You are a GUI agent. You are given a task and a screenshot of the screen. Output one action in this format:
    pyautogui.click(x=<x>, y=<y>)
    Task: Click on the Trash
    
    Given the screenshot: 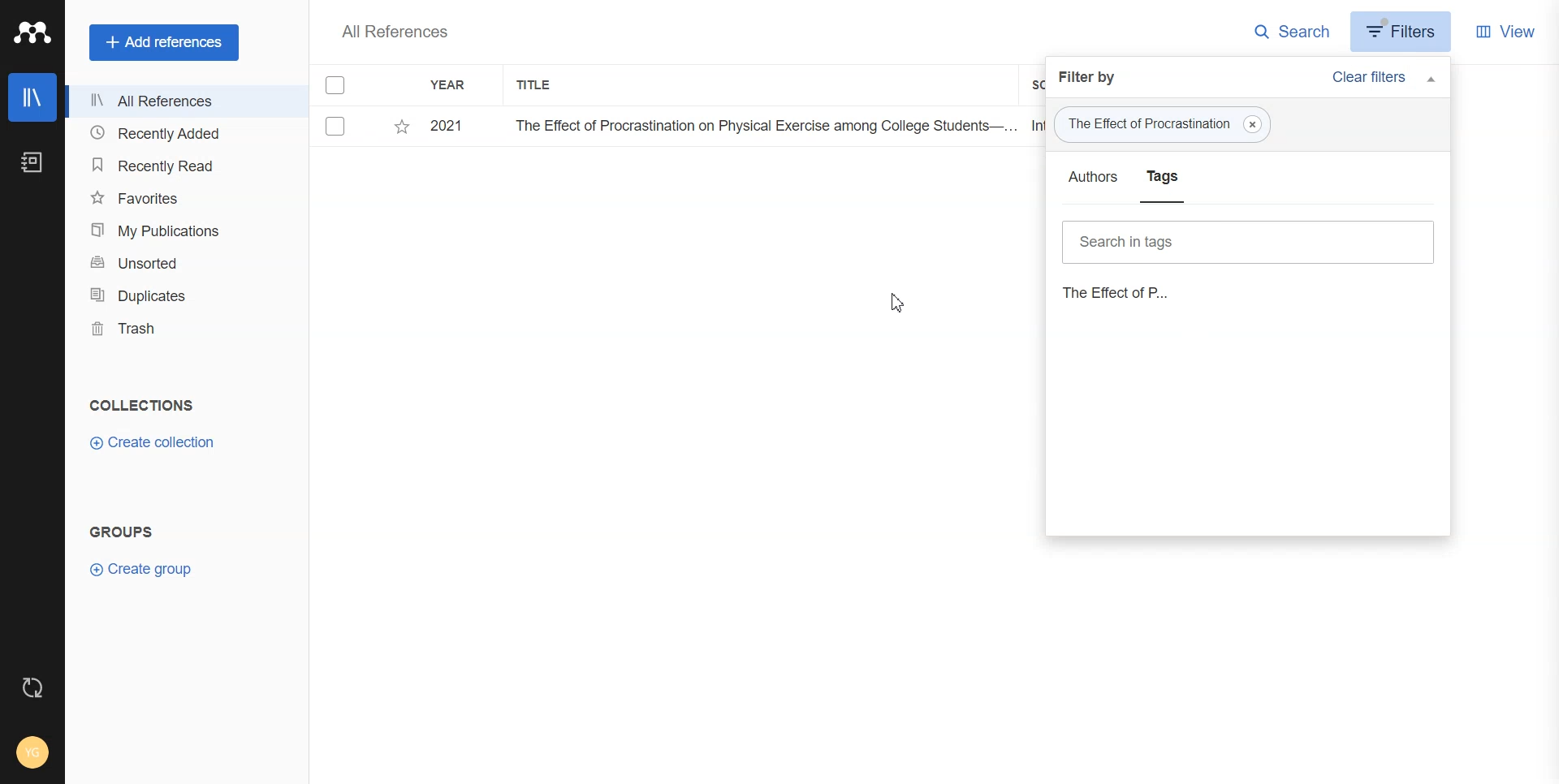 What is the action you would take?
    pyautogui.click(x=174, y=331)
    